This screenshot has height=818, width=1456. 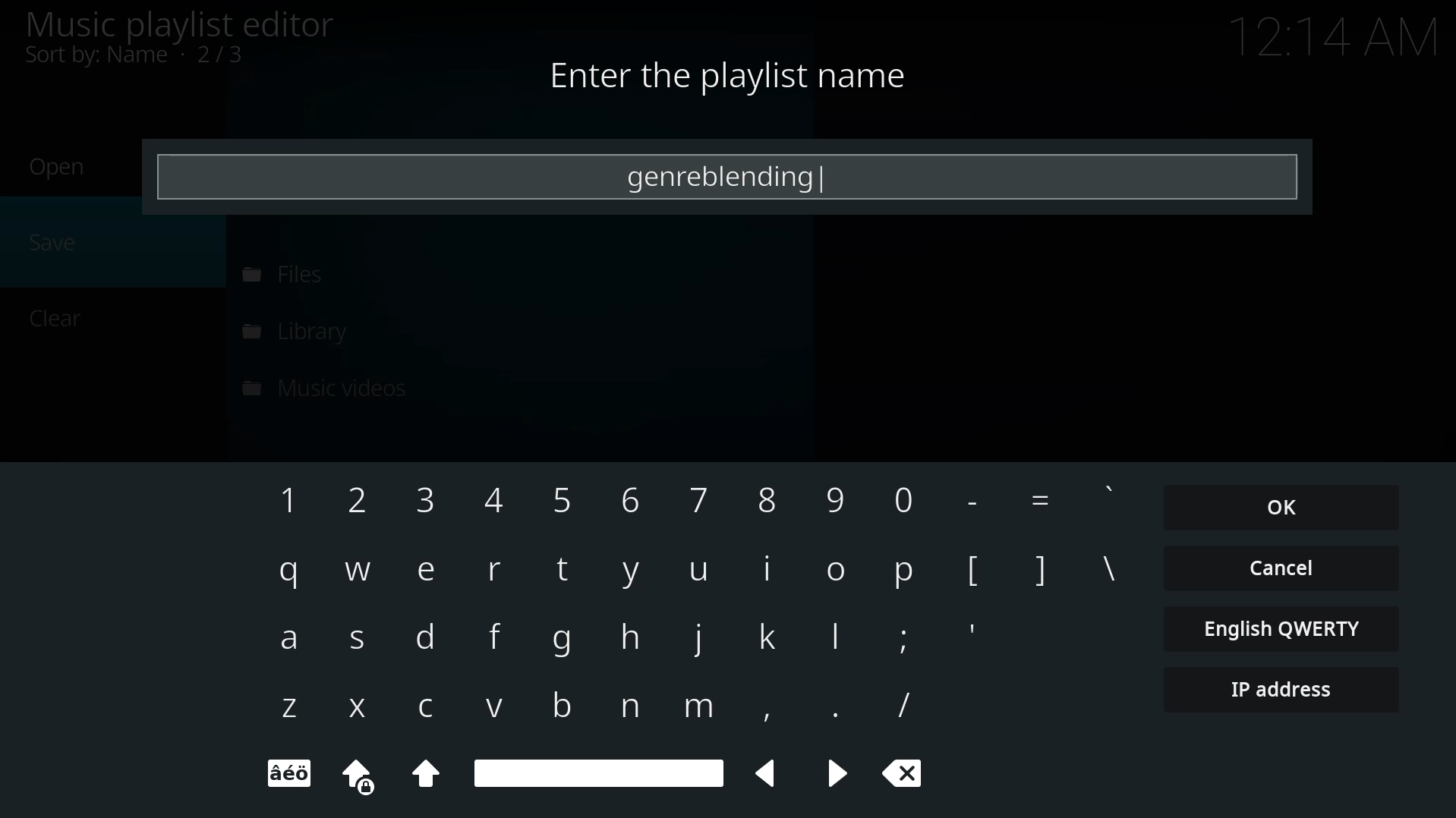 I want to click on music videos, so click(x=329, y=385).